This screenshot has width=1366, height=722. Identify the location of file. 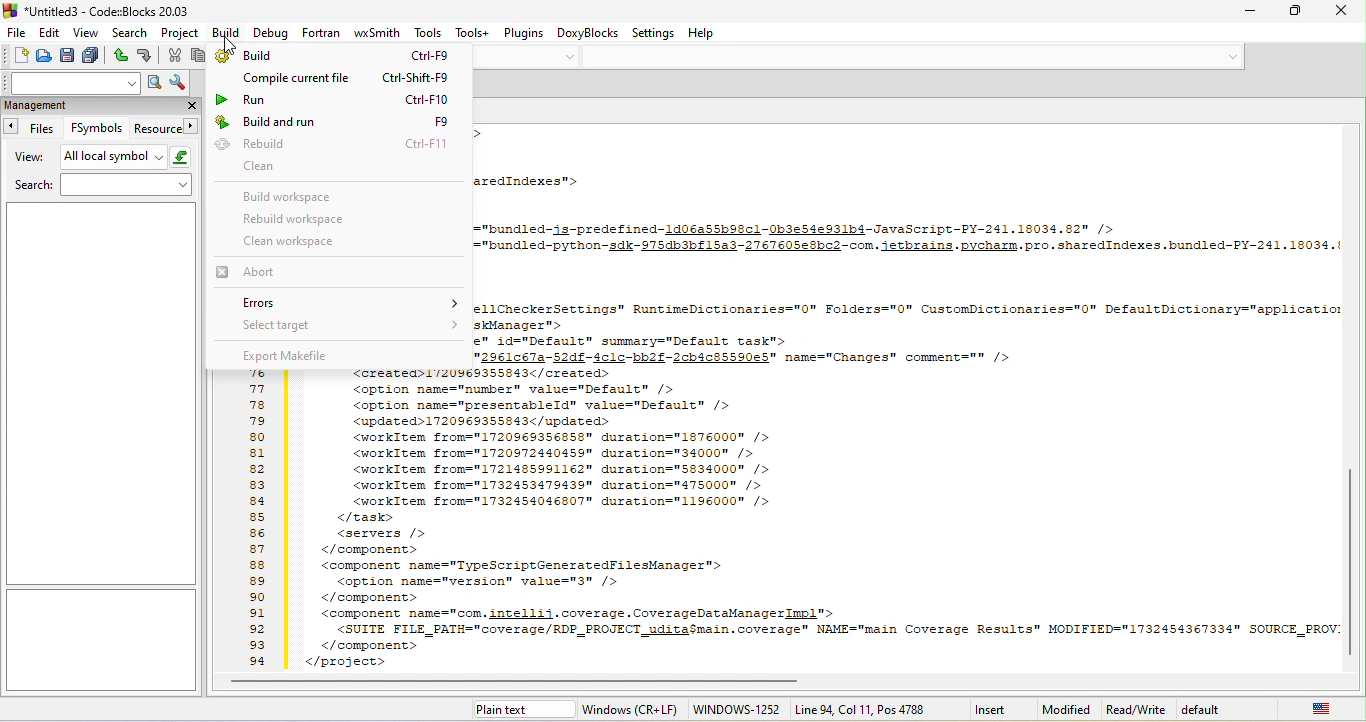
(14, 34).